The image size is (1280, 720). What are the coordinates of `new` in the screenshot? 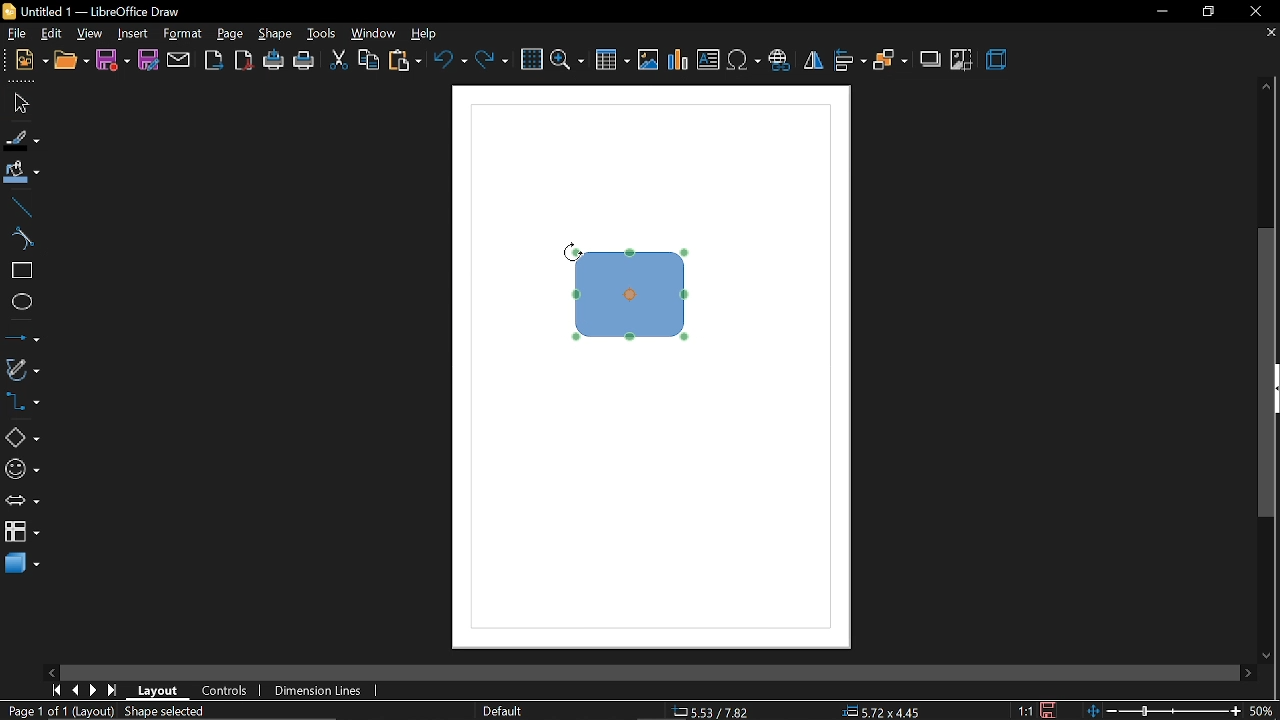 It's located at (30, 61).